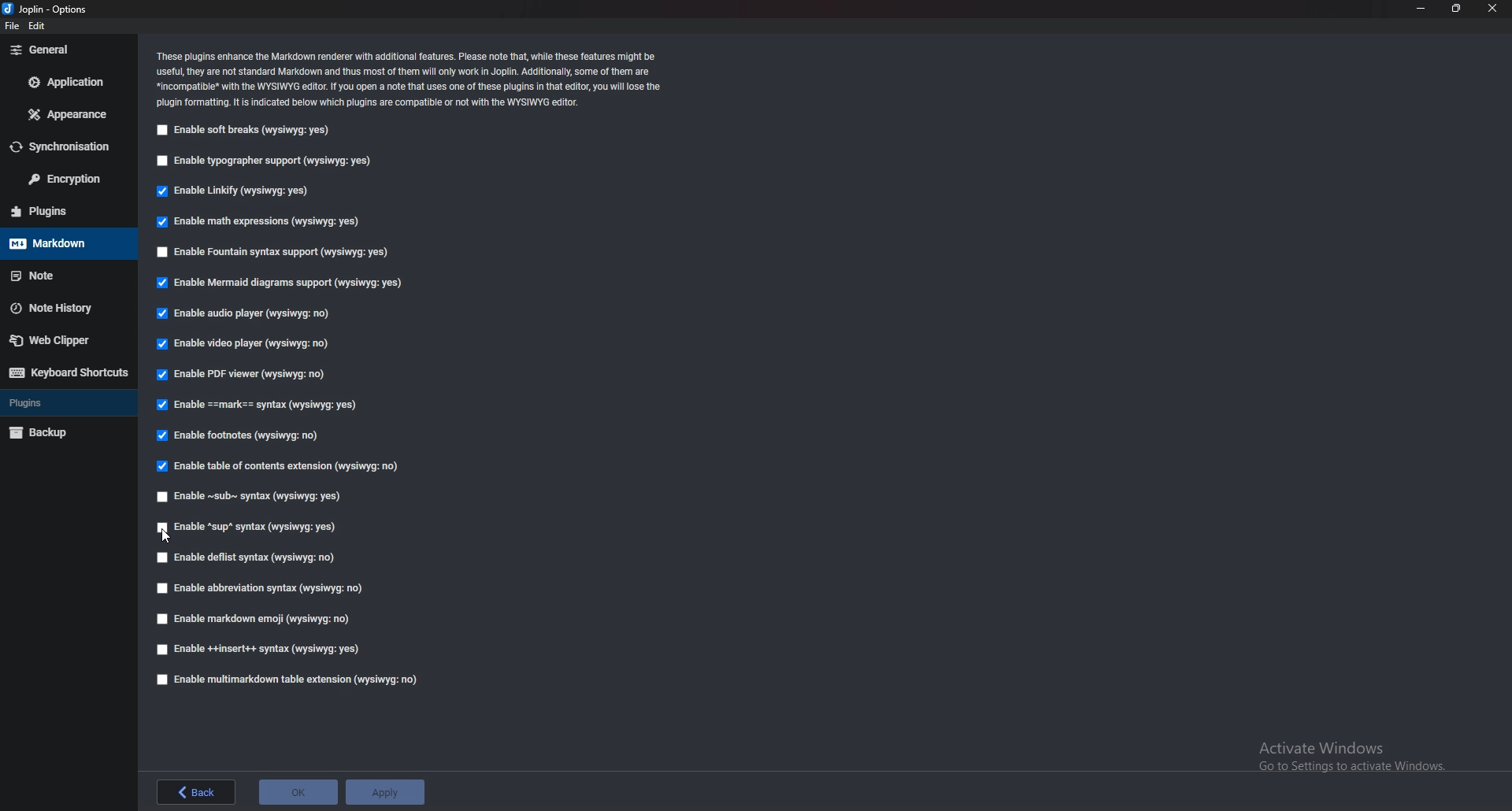 This screenshot has width=1512, height=811. What do you see at coordinates (275, 251) in the screenshot?
I see `Enable Fountain syntax support (Wysiwyg: yes)` at bounding box center [275, 251].